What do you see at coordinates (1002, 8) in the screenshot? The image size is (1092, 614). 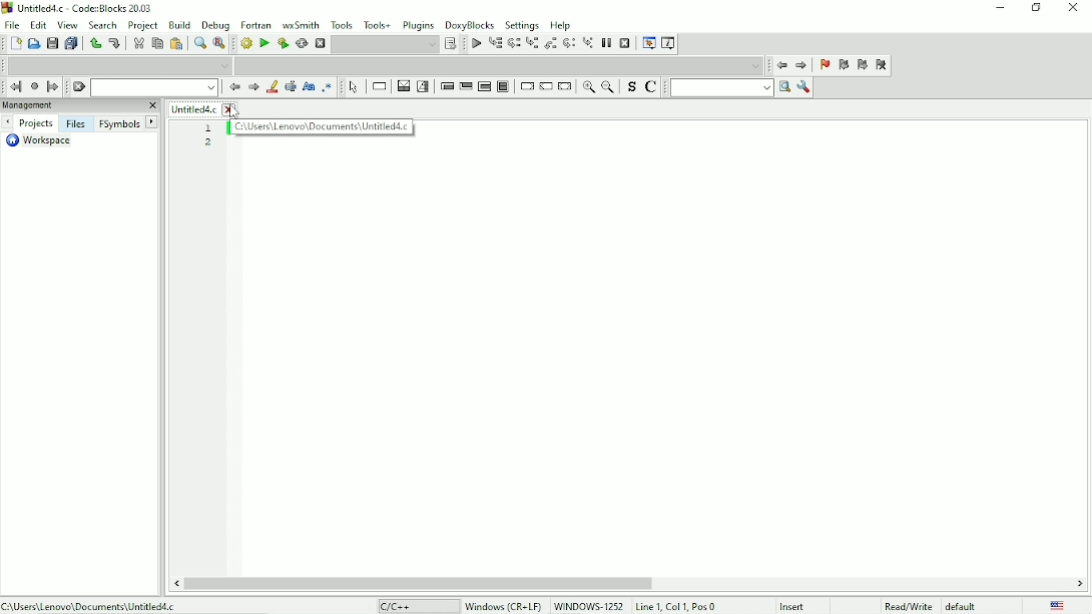 I see `Minimize` at bounding box center [1002, 8].